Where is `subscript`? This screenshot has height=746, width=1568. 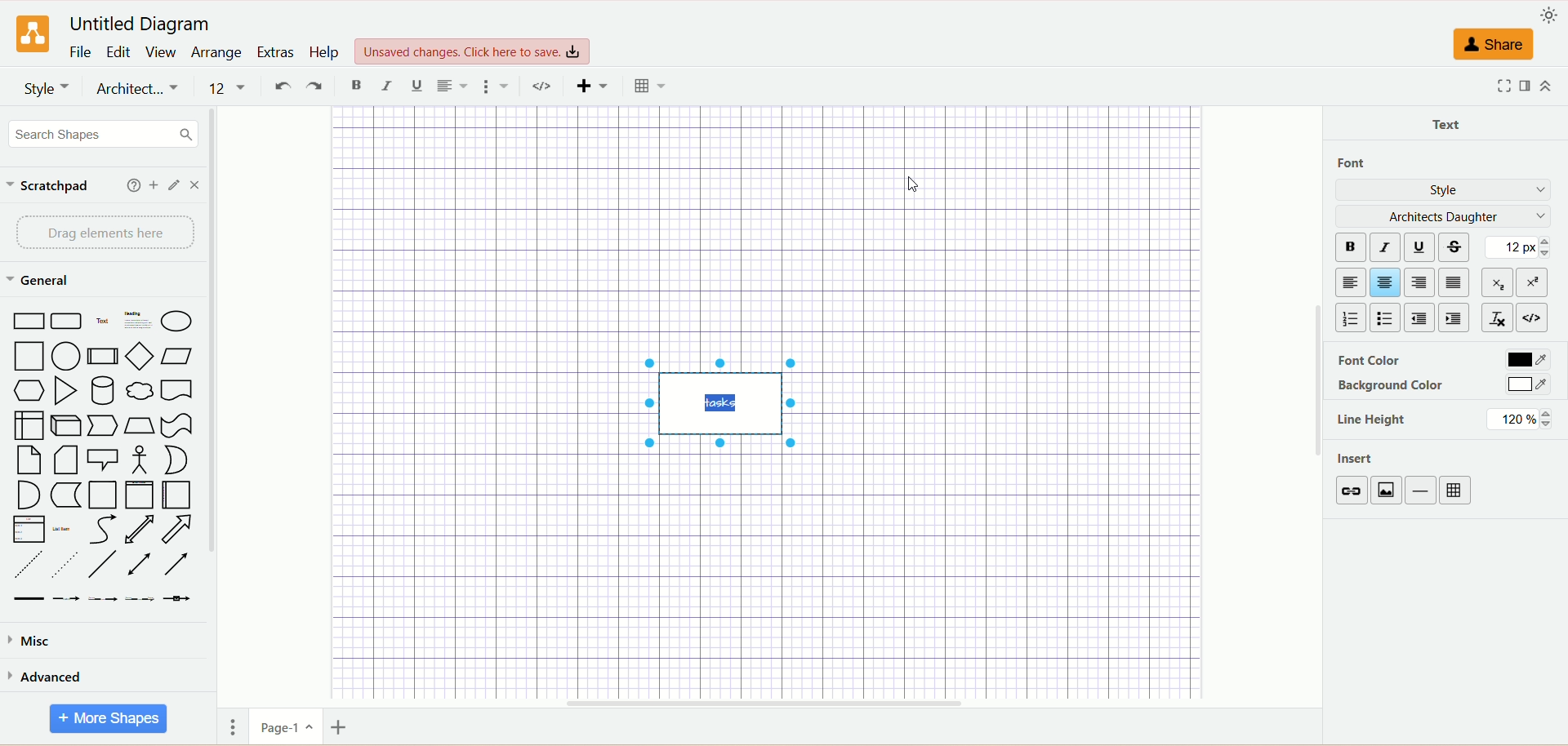
subscript is located at coordinates (1497, 281).